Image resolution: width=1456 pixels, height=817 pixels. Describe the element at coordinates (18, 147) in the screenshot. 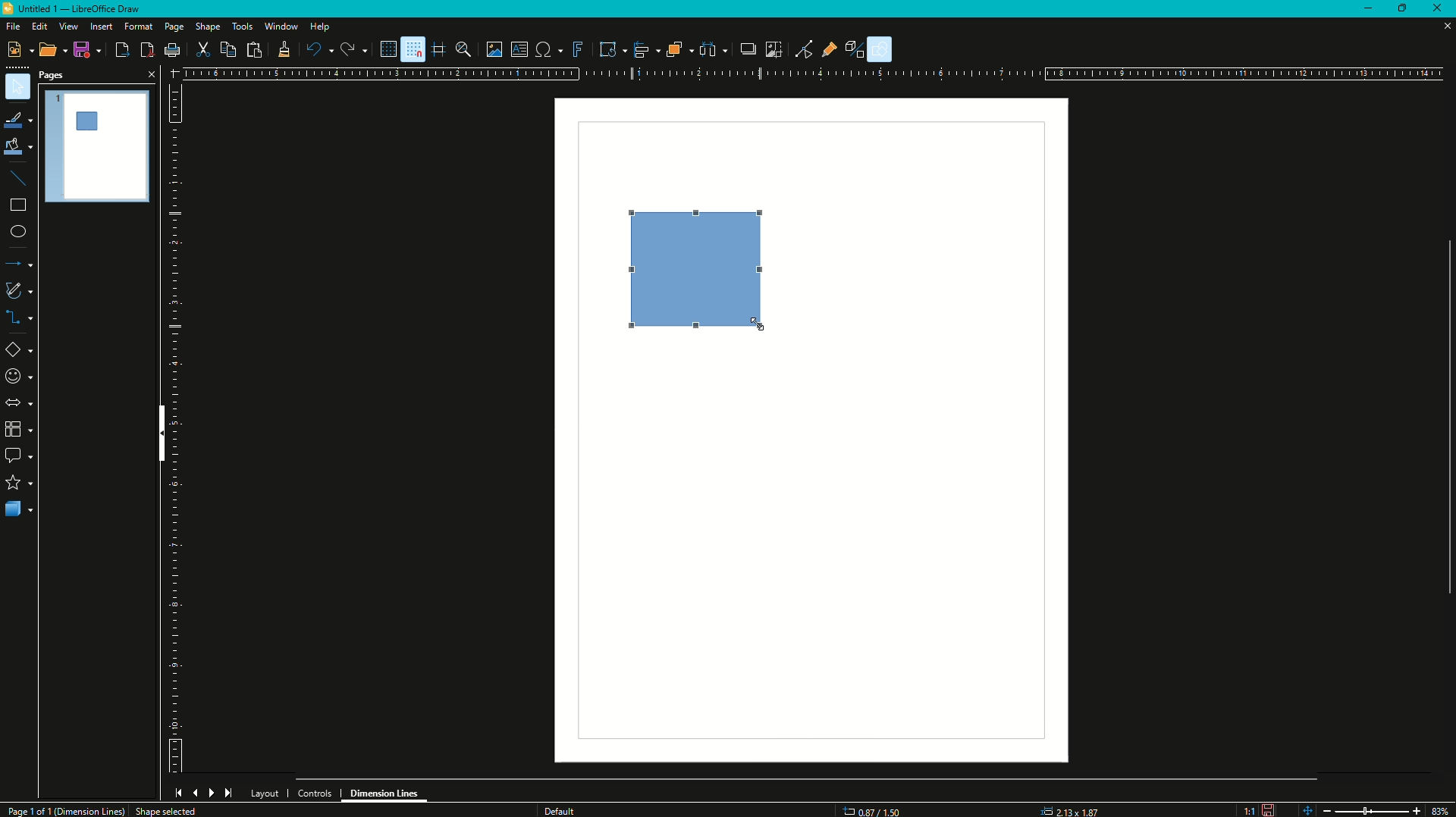

I see `Fill Color` at that location.